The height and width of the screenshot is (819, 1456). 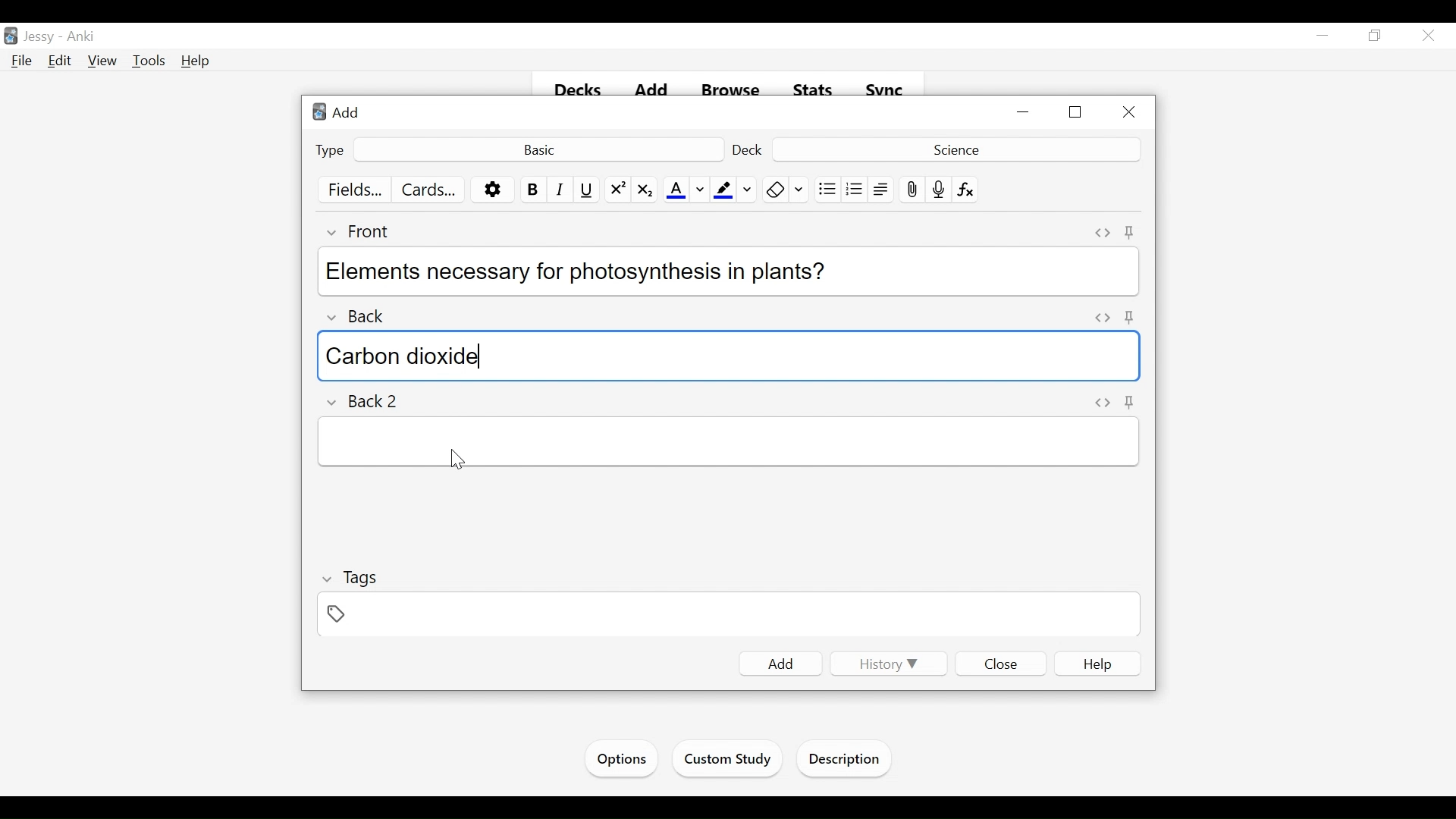 I want to click on Carbon Dioxide, so click(x=731, y=356).